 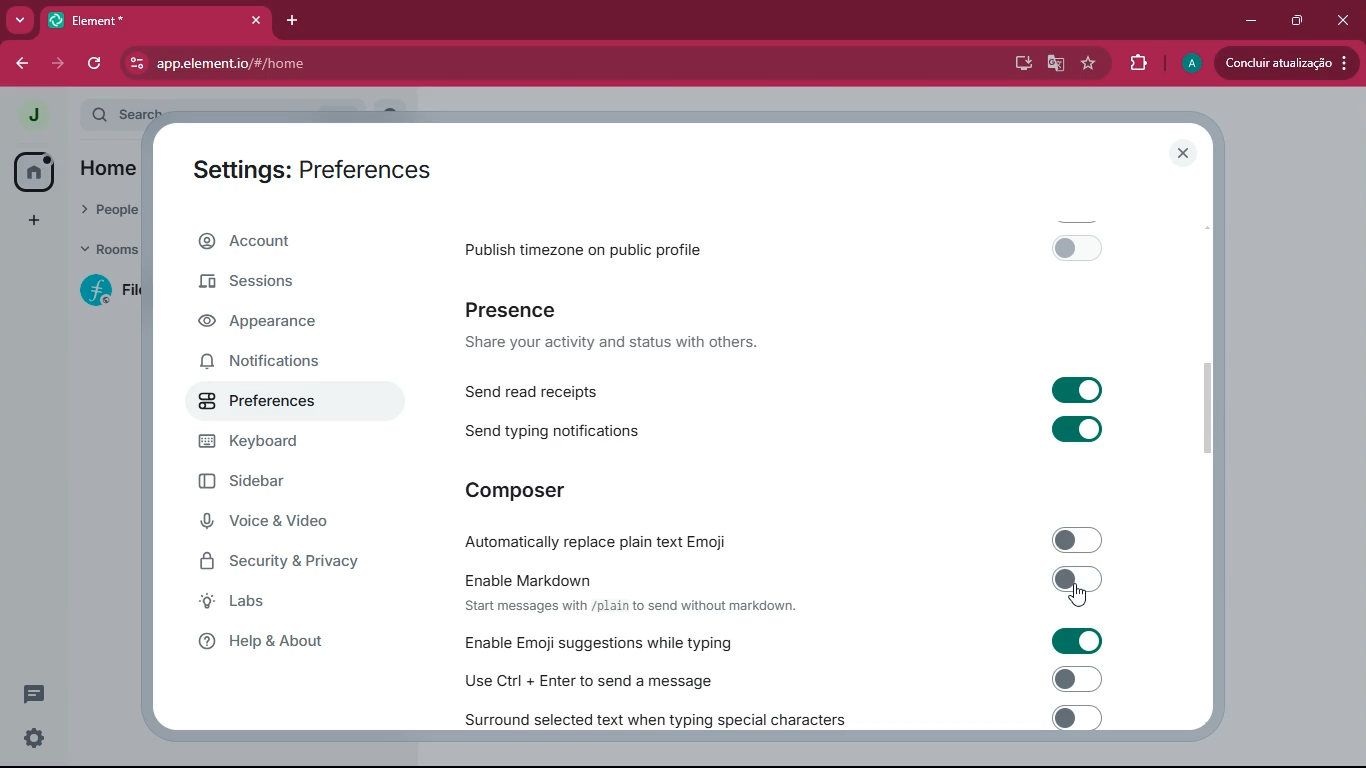 What do you see at coordinates (776, 678) in the screenshot?
I see `use ctrl enter` at bounding box center [776, 678].